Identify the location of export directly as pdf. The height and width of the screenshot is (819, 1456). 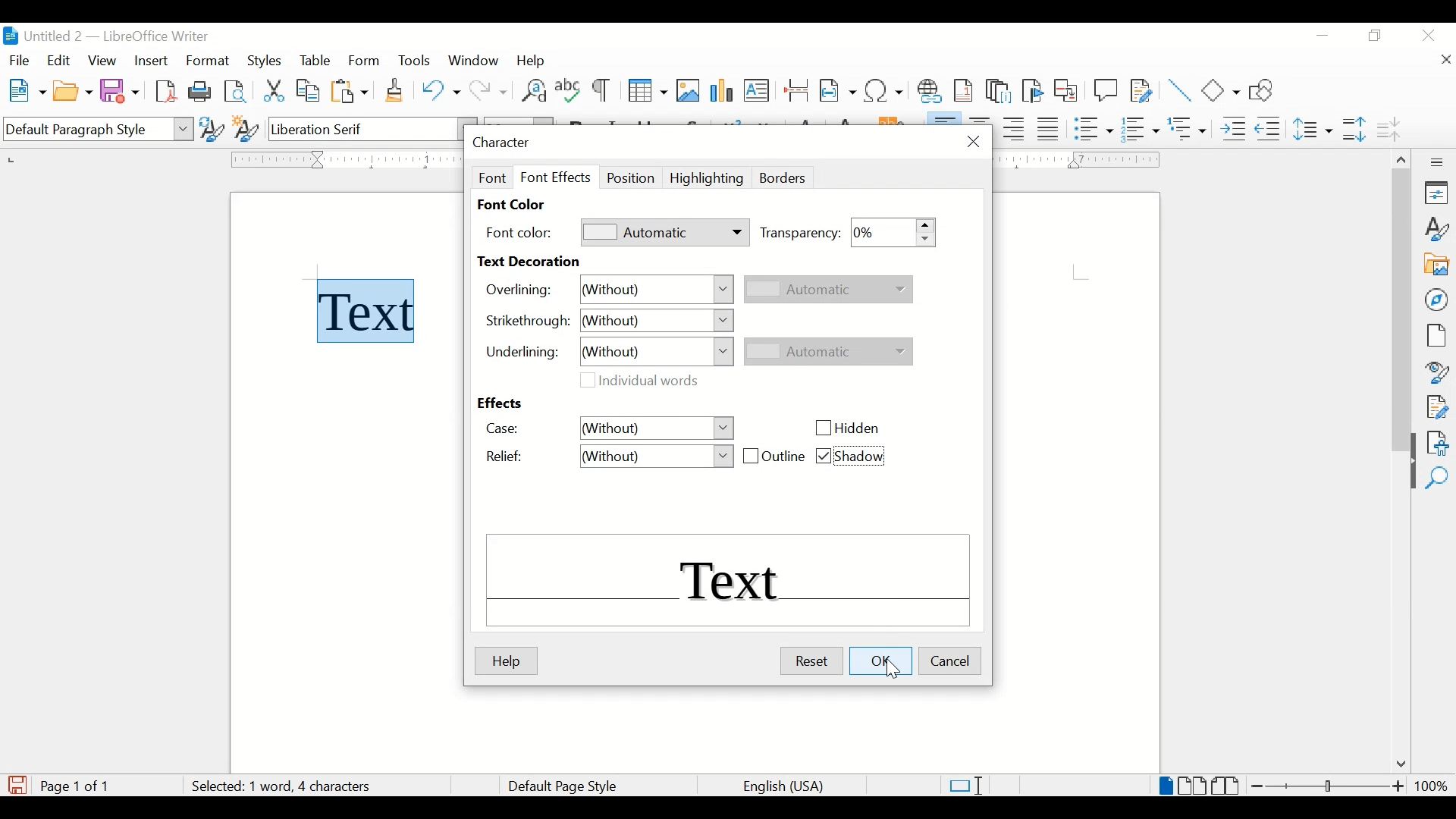
(168, 92).